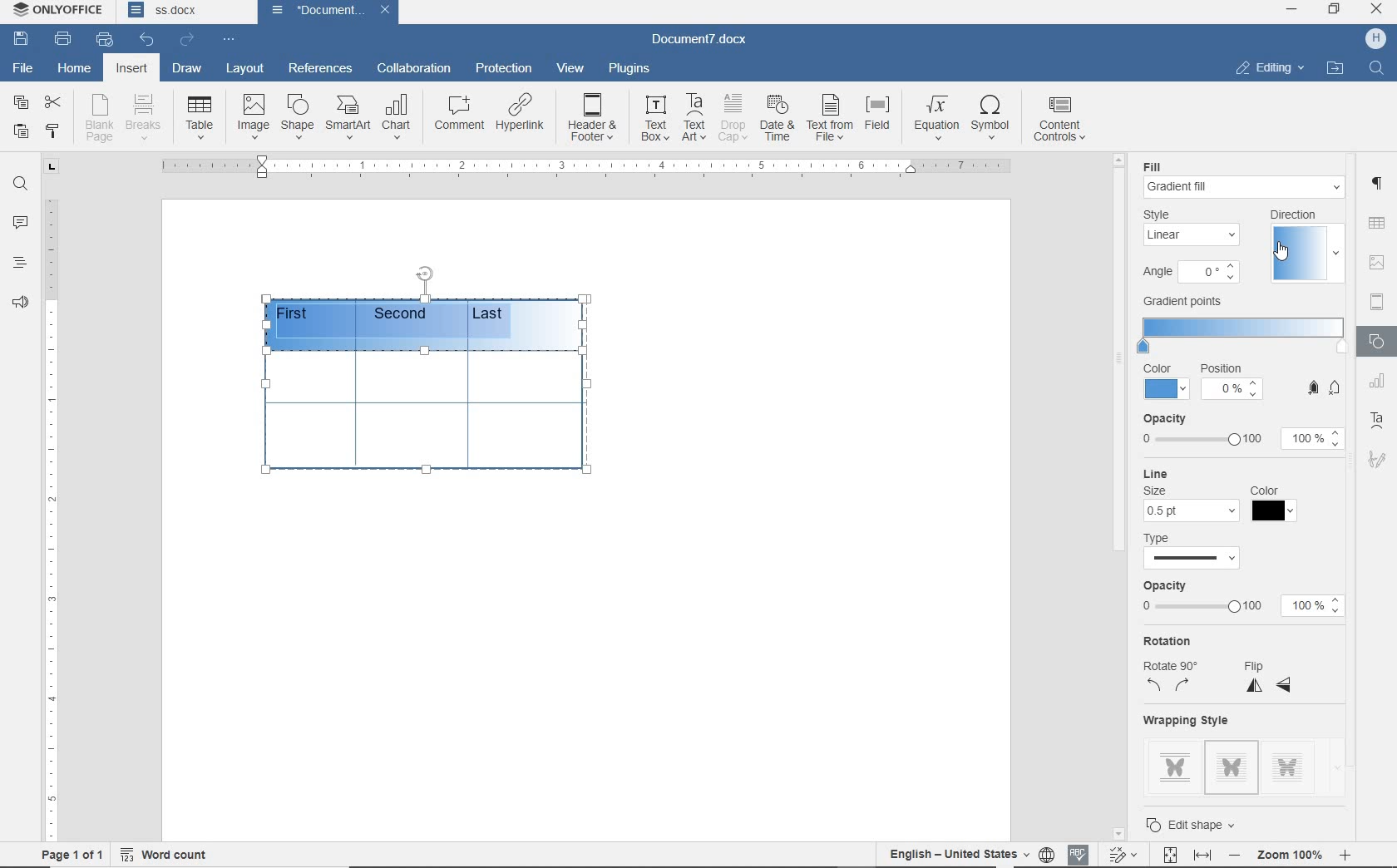 This screenshot has width=1397, height=868. I want to click on Table, so click(201, 119).